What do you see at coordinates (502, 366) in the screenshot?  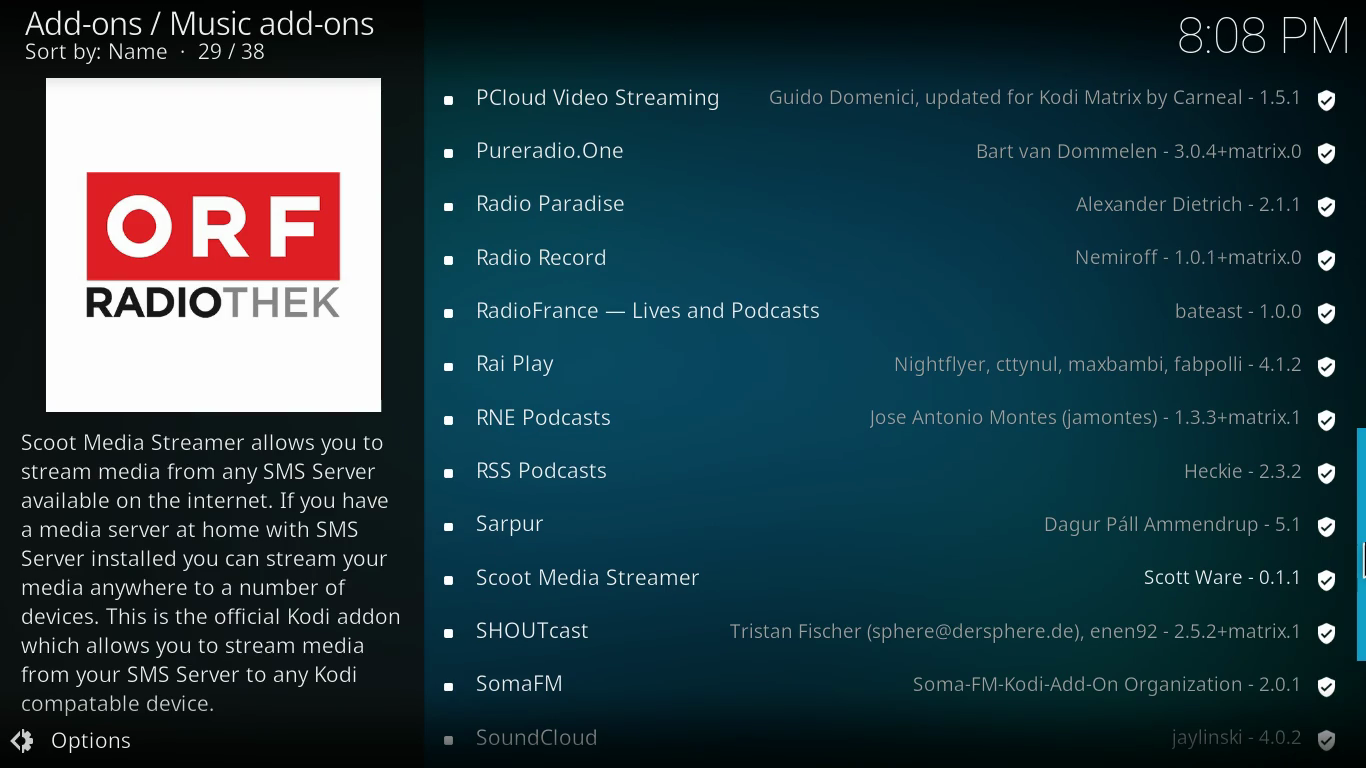 I see `add-on` at bounding box center [502, 366].